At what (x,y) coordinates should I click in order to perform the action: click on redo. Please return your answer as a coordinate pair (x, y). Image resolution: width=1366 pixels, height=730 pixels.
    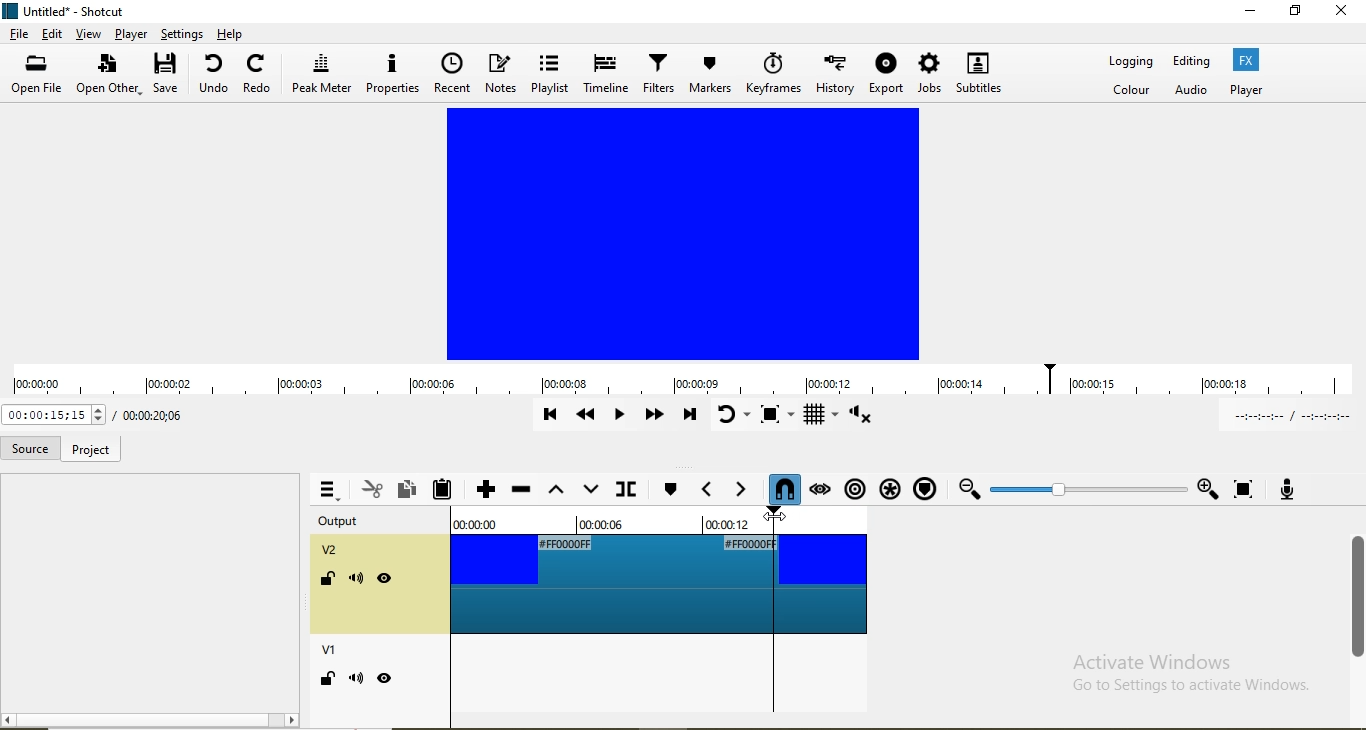
    Looking at the image, I should click on (258, 77).